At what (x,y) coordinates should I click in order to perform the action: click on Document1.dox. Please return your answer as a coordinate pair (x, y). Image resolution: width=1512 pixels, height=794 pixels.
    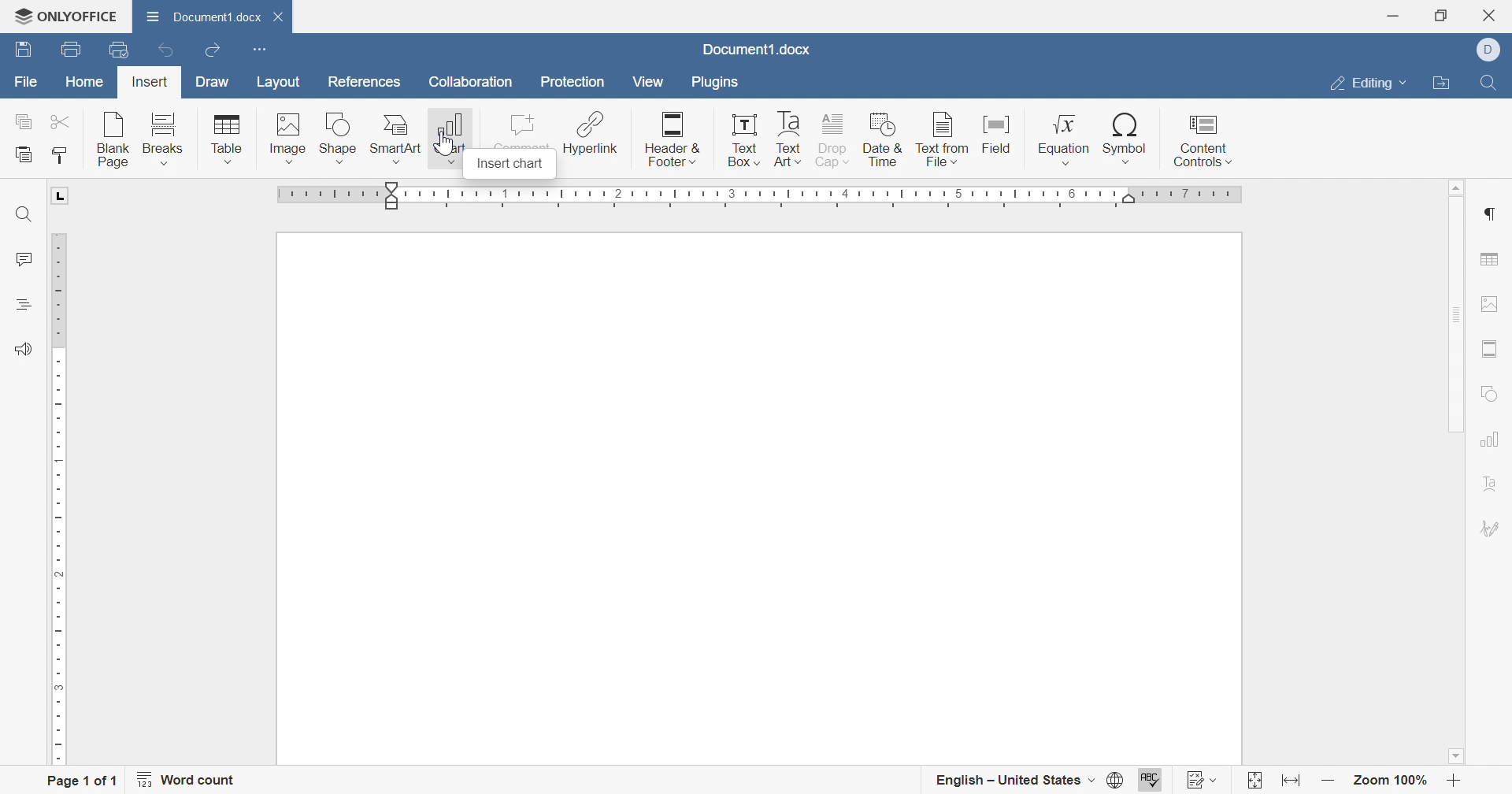
    Looking at the image, I should click on (758, 51).